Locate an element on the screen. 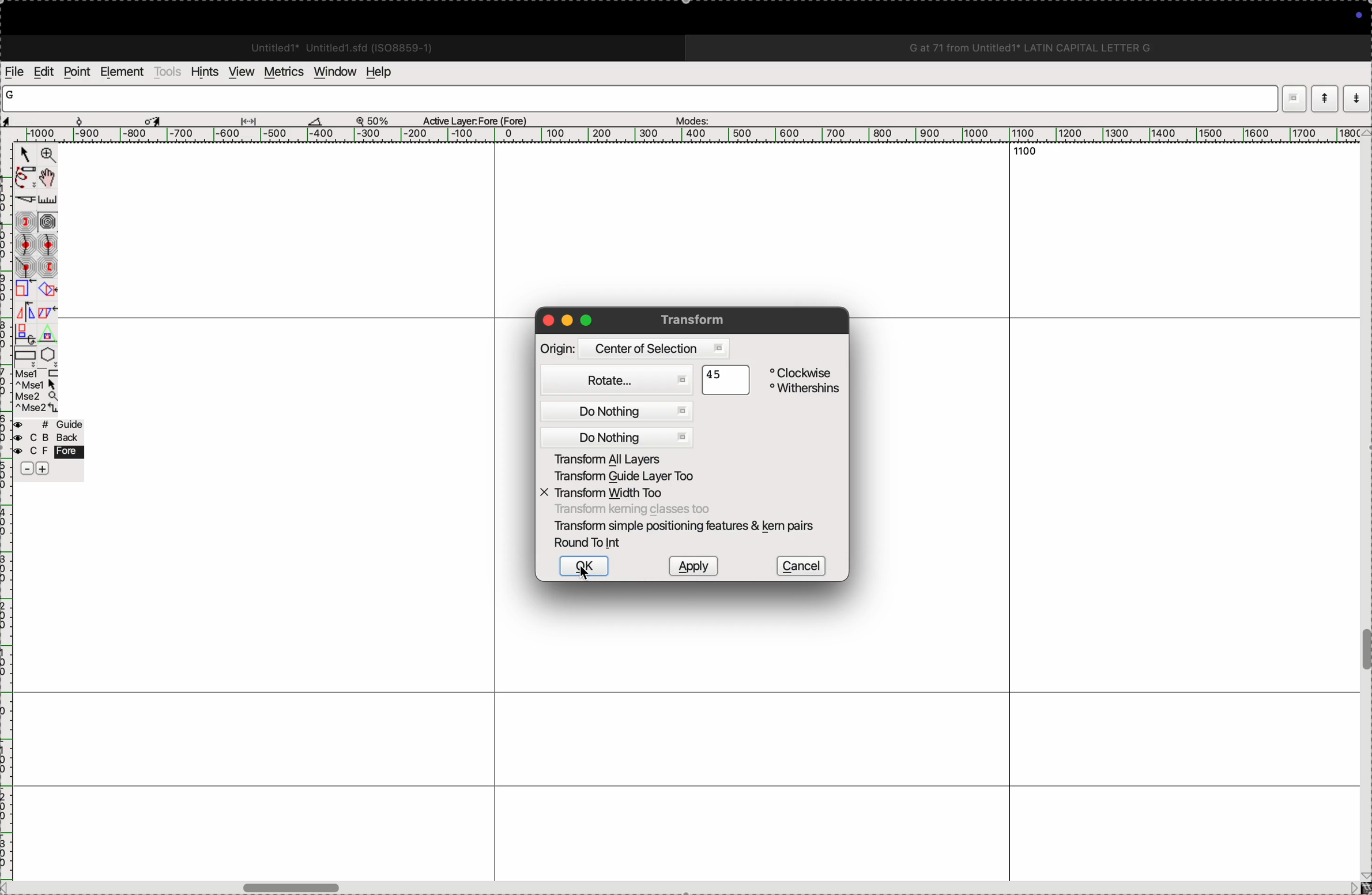 The width and height of the screenshot is (1372, 895). show current word list is located at coordinates (1325, 98).